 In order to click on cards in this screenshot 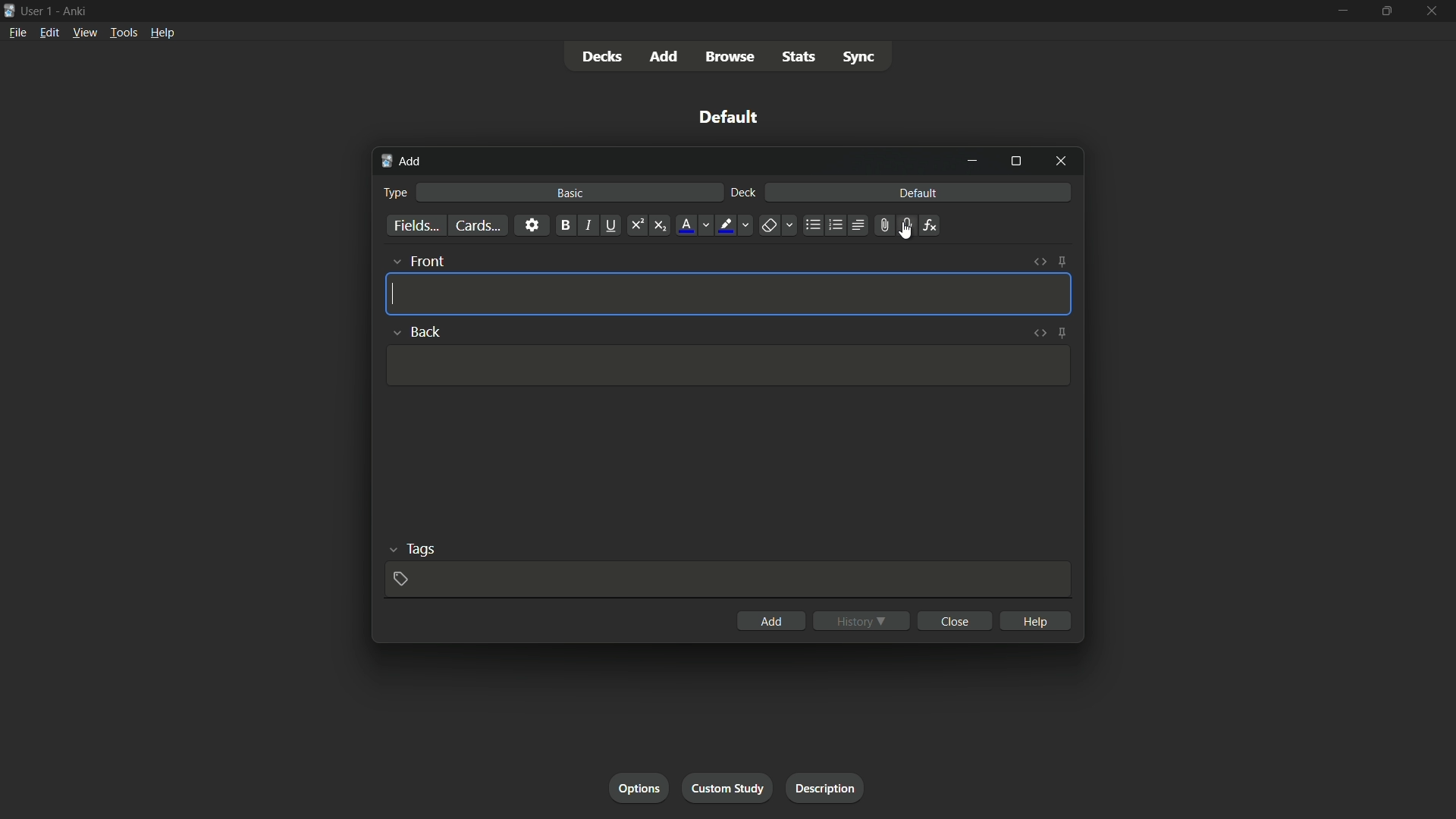, I will do `click(475, 225)`.